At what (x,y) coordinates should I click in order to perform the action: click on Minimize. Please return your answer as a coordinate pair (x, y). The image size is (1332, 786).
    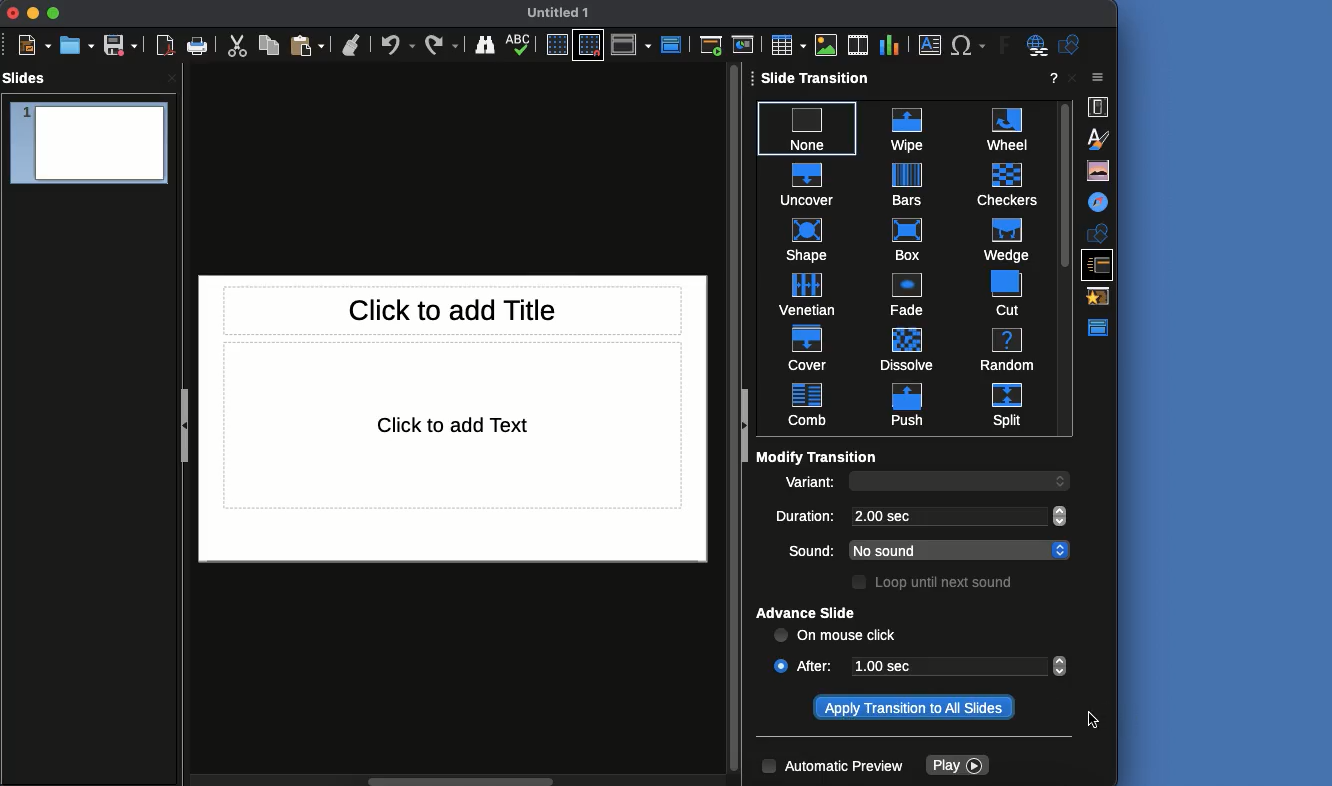
    Looking at the image, I should click on (35, 14).